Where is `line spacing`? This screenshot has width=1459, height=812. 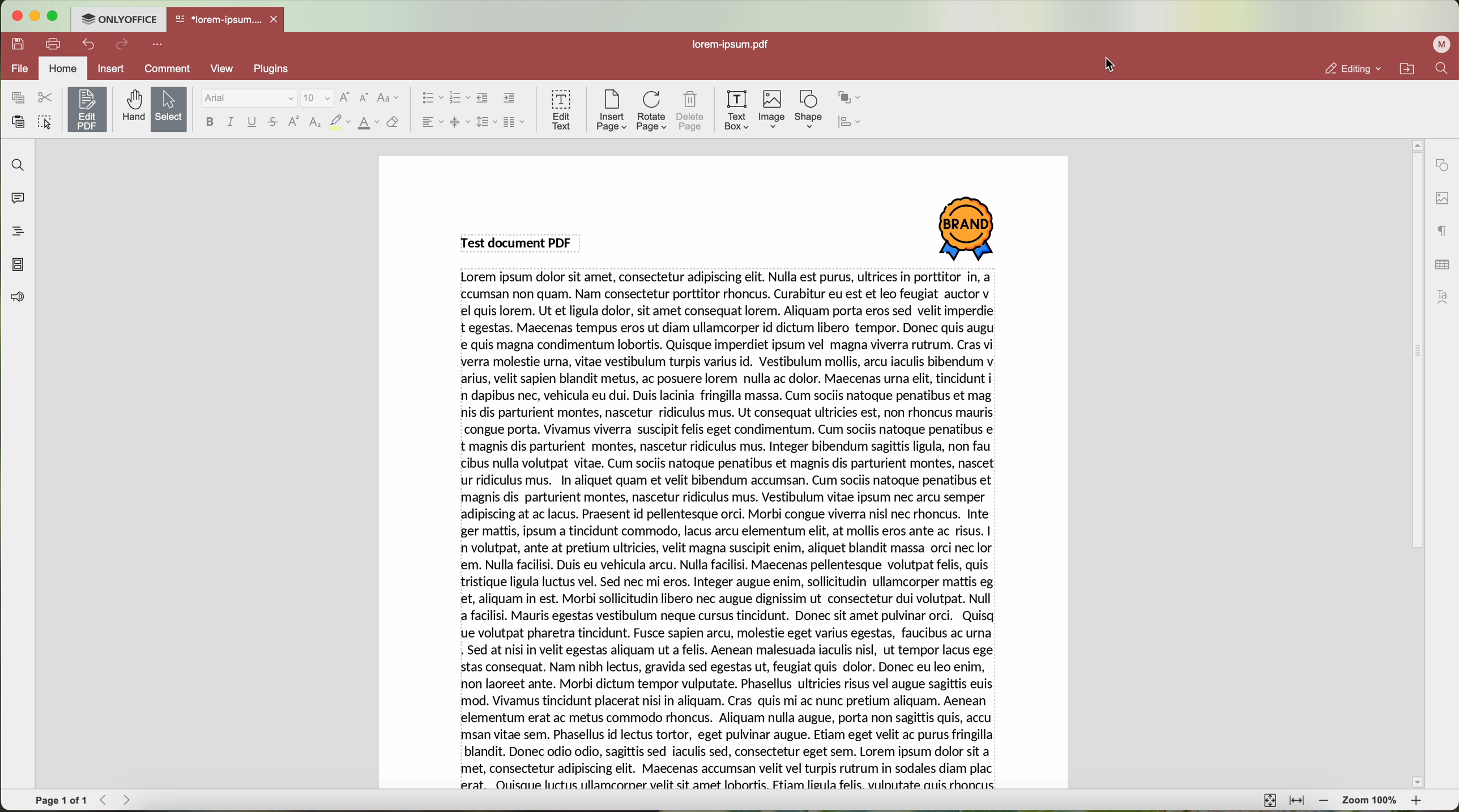 line spacing is located at coordinates (487, 122).